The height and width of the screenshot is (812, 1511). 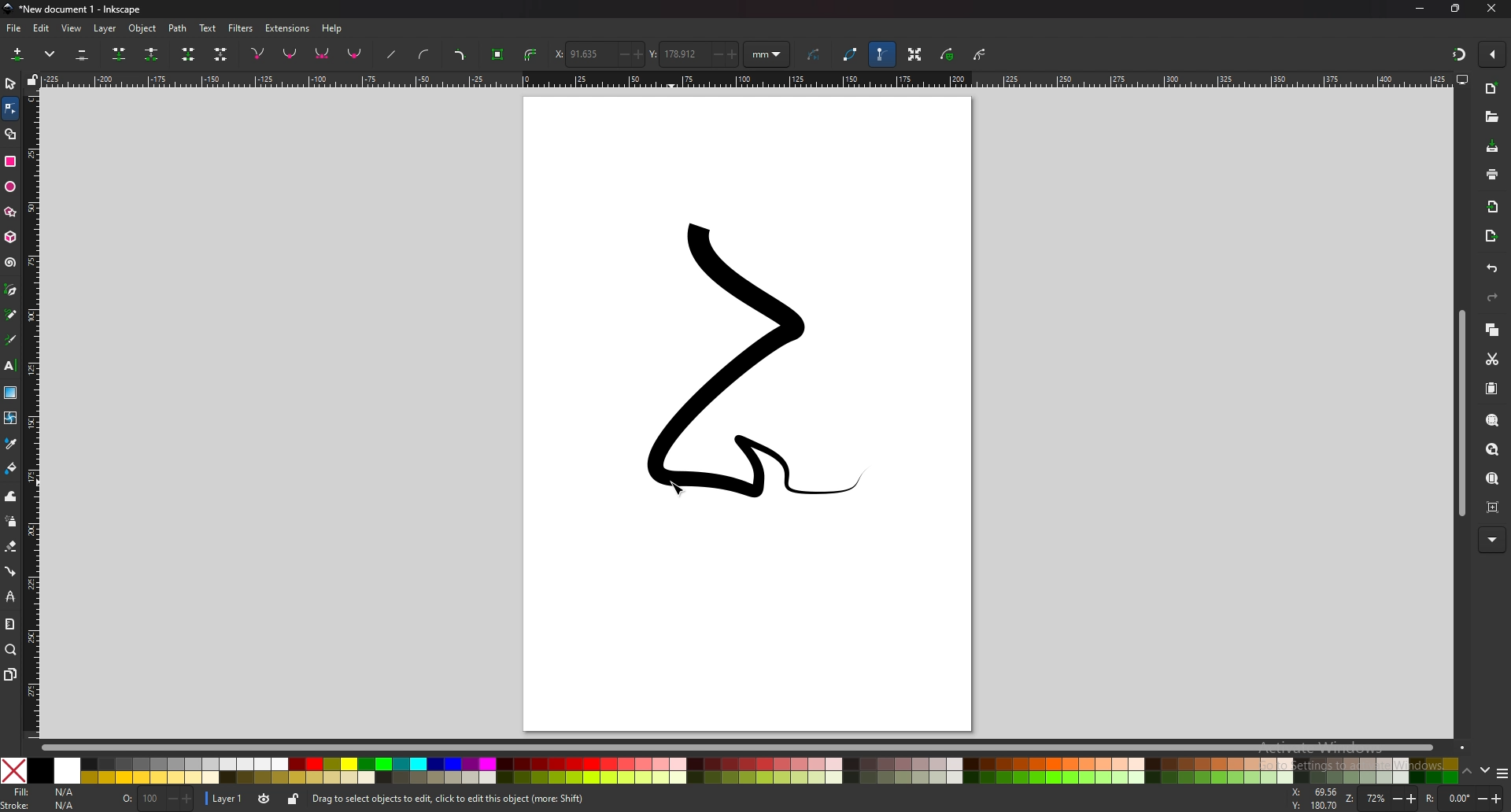 I want to click on stroke, so click(x=39, y=806).